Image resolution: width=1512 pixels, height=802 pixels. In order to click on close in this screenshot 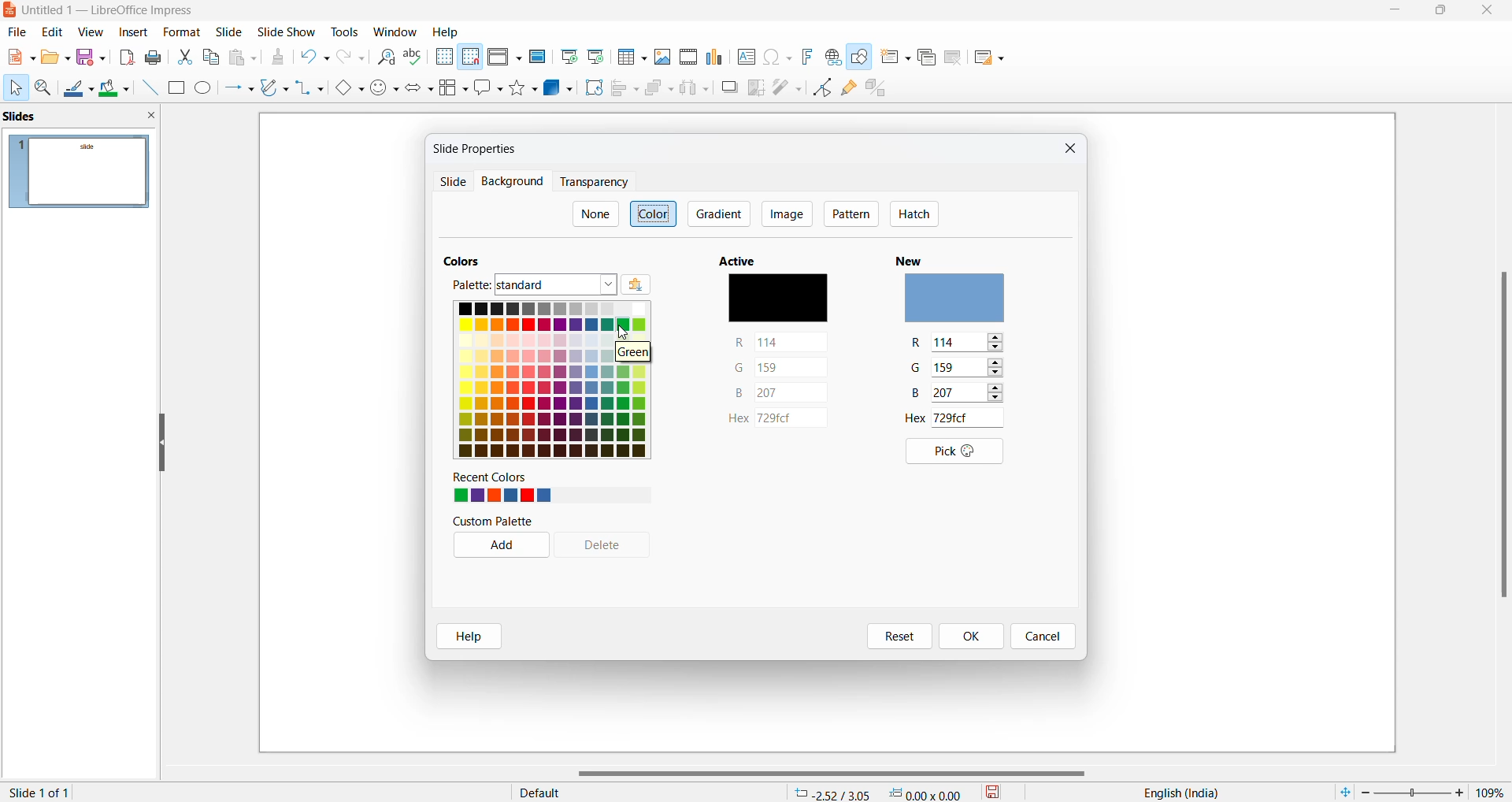, I will do `click(1397, 12)`.